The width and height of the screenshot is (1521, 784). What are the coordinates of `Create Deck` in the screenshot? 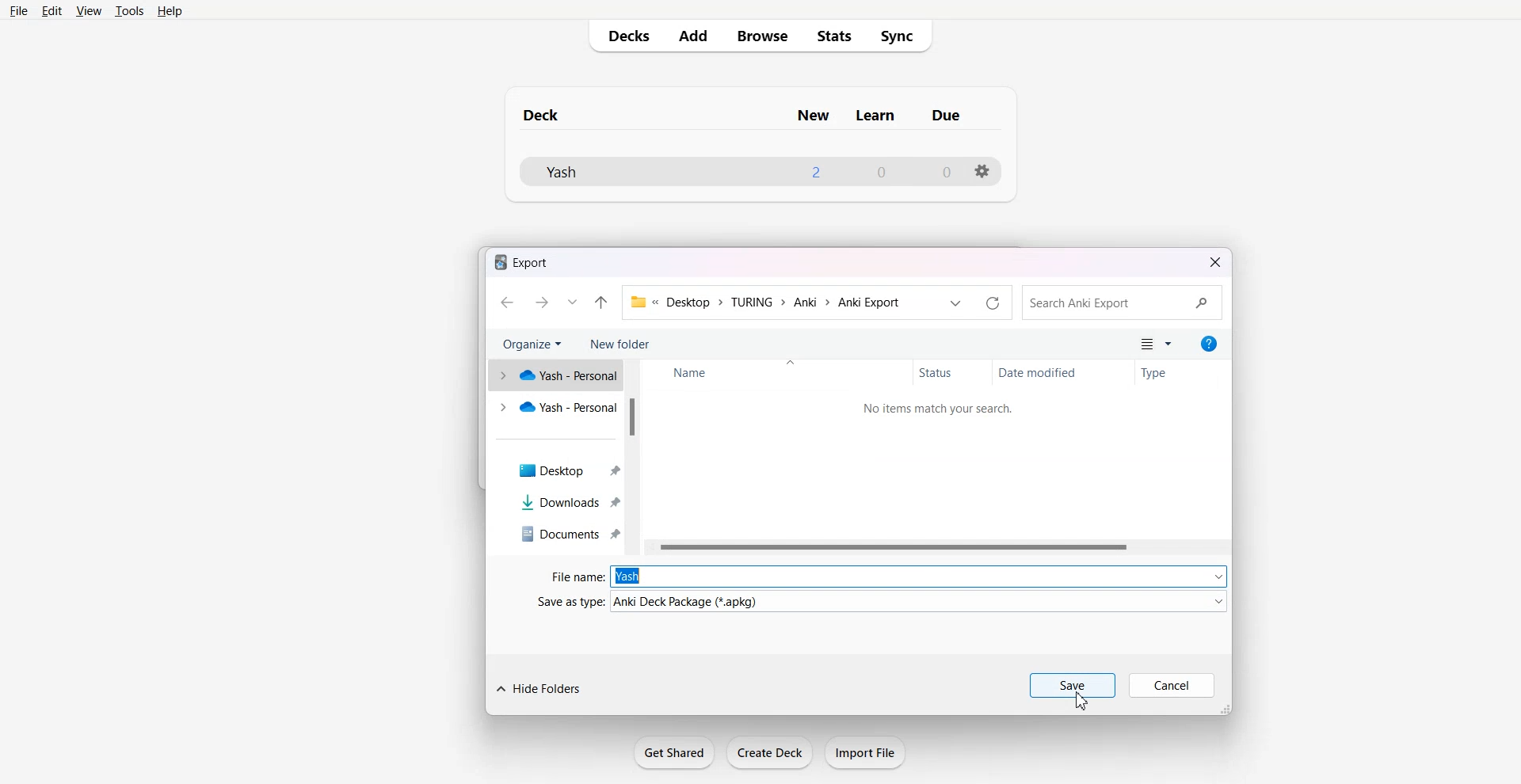 It's located at (769, 752).